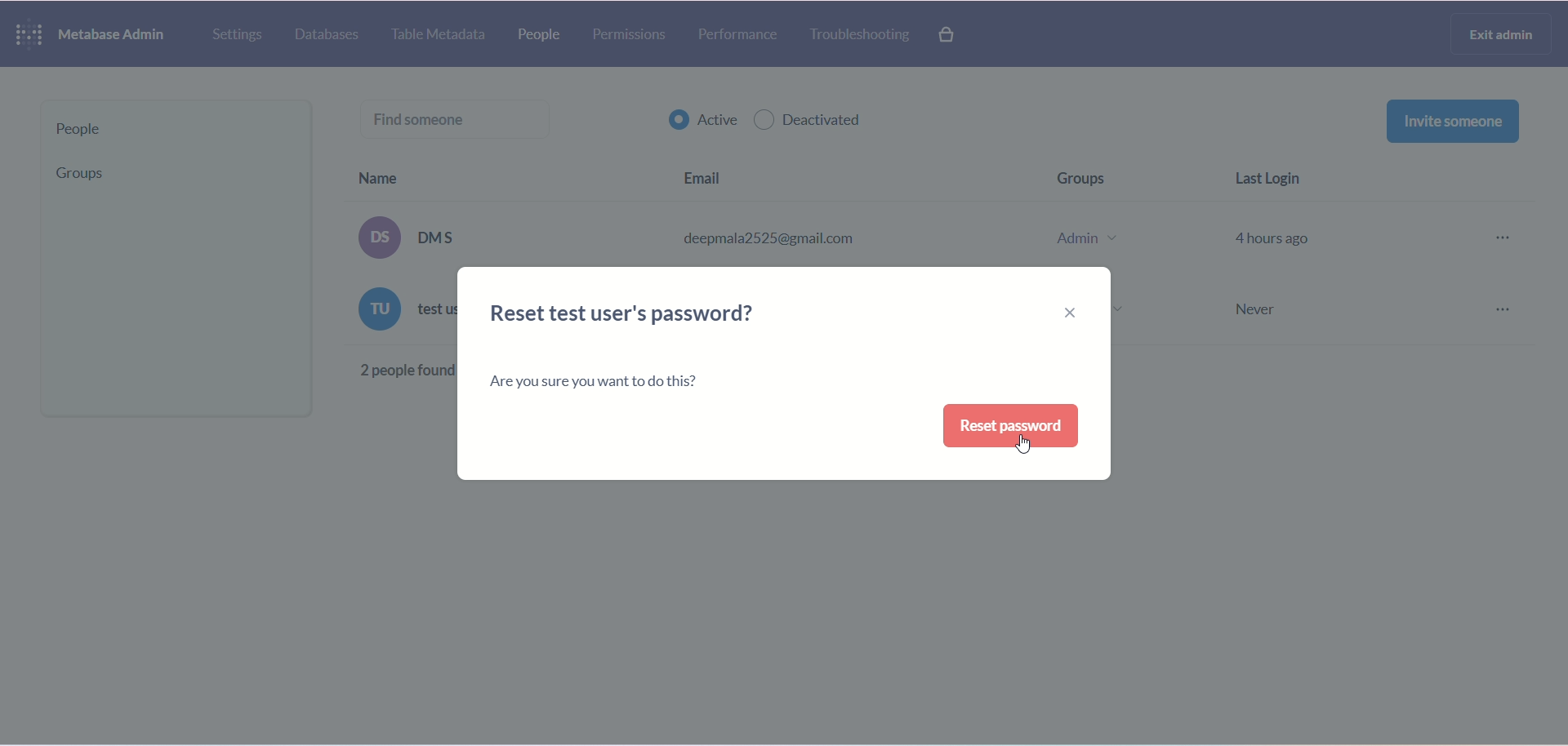 Image resolution: width=1568 pixels, height=746 pixels. I want to click on people, so click(171, 130).